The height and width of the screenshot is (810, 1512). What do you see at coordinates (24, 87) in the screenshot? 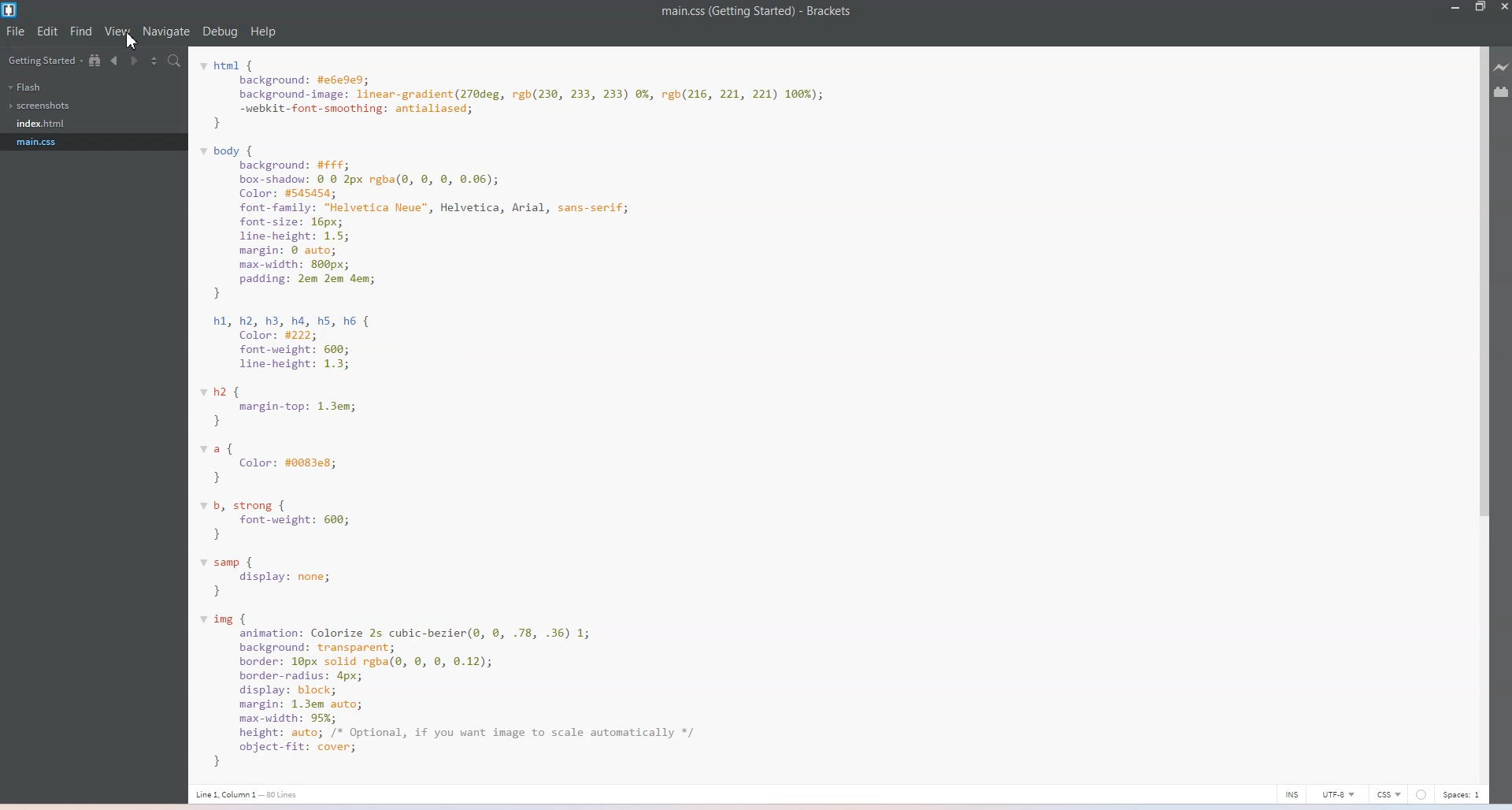
I see `Flash` at bounding box center [24, 87].